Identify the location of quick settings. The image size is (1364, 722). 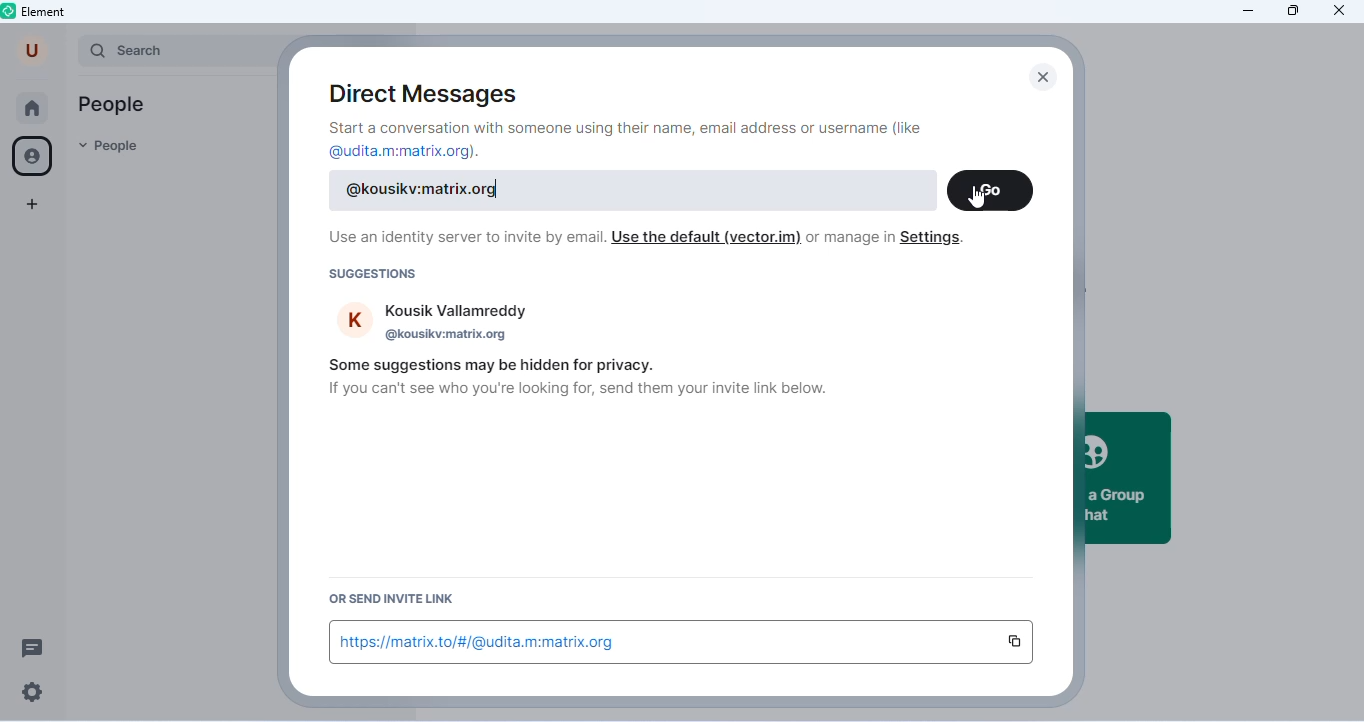
(33, 694).